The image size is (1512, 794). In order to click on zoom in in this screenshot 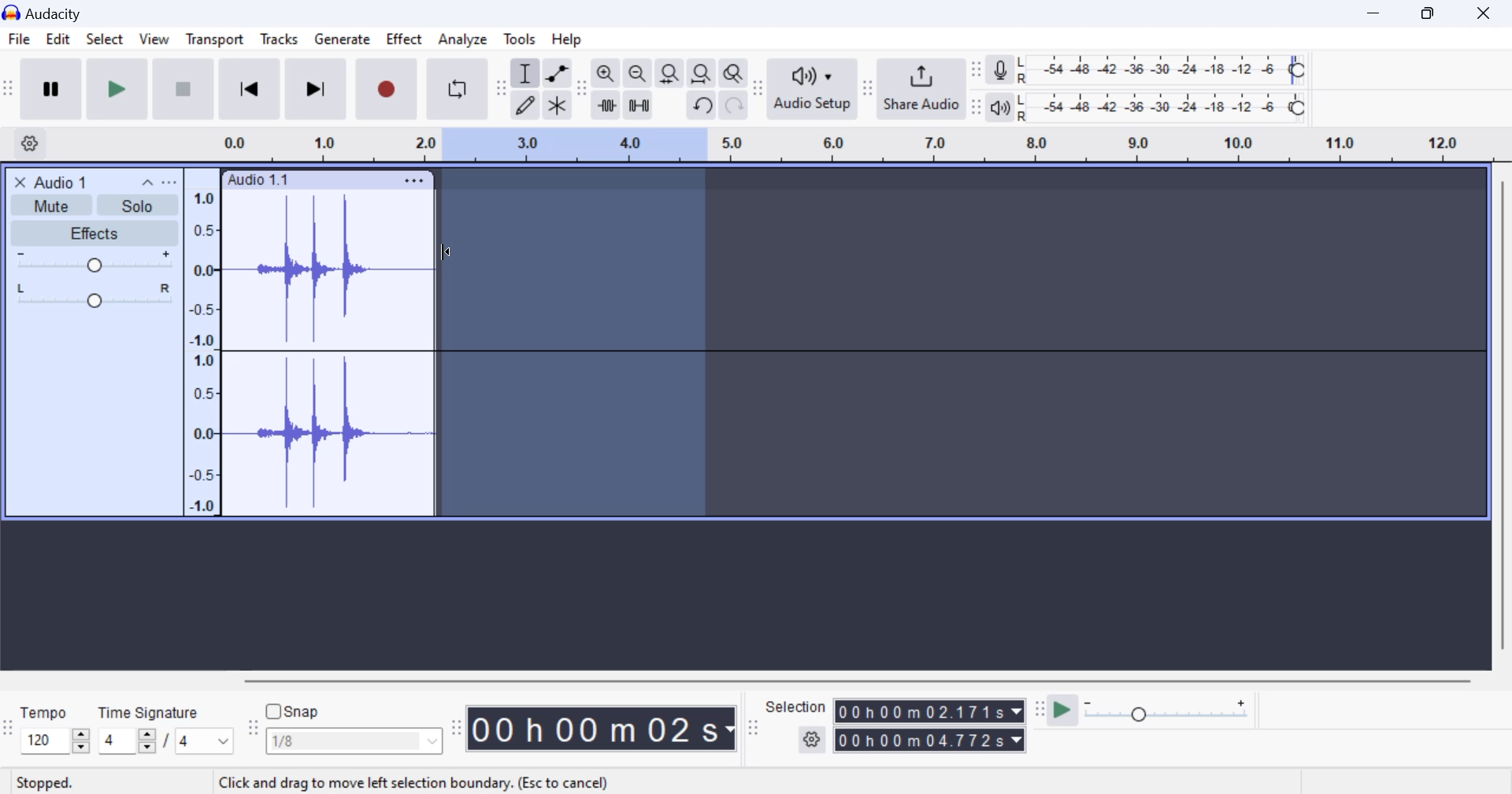, I will do `click(606, 74)`.